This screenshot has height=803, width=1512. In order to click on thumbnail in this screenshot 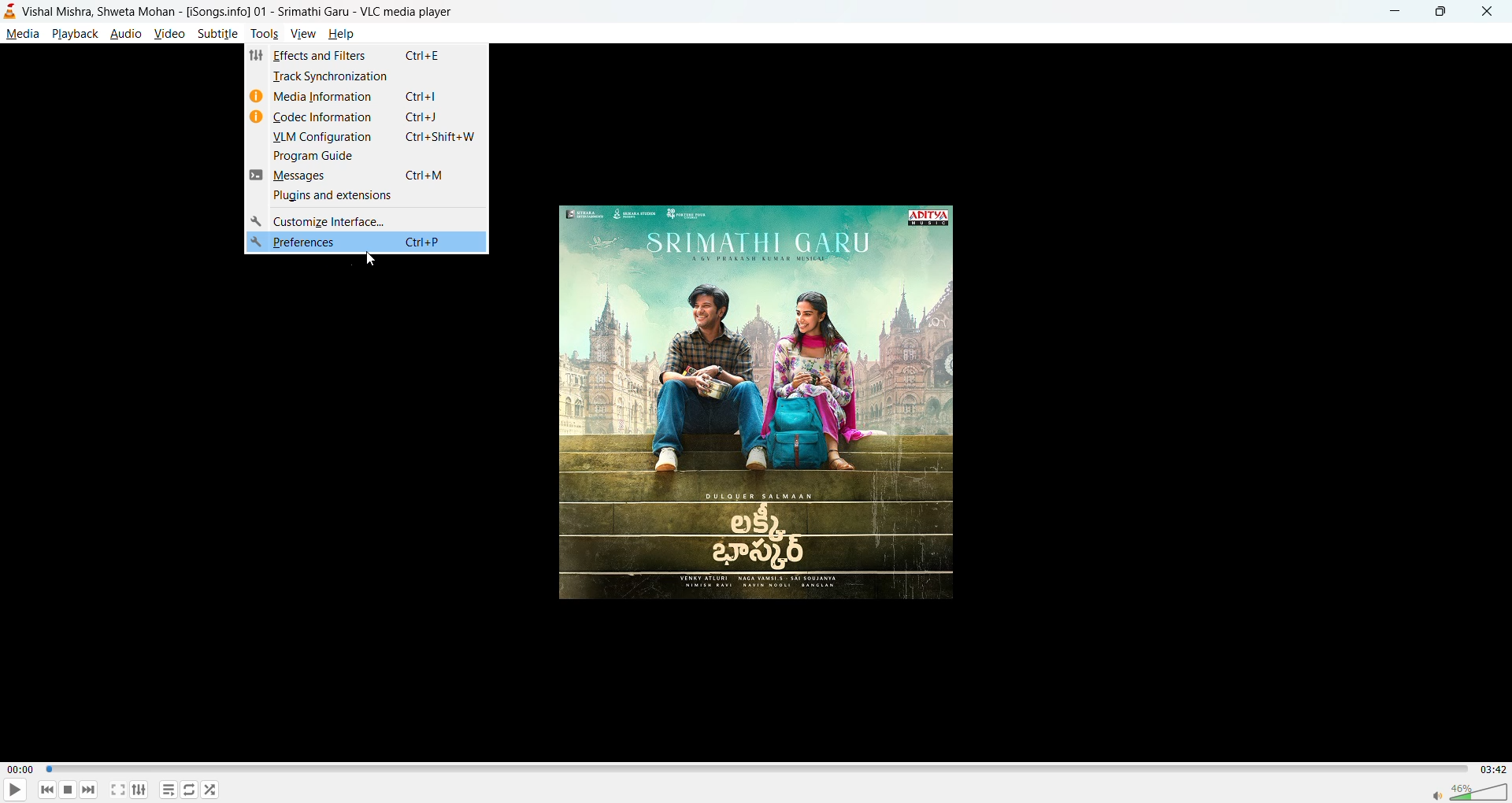, I will do `click(761, 406)`.